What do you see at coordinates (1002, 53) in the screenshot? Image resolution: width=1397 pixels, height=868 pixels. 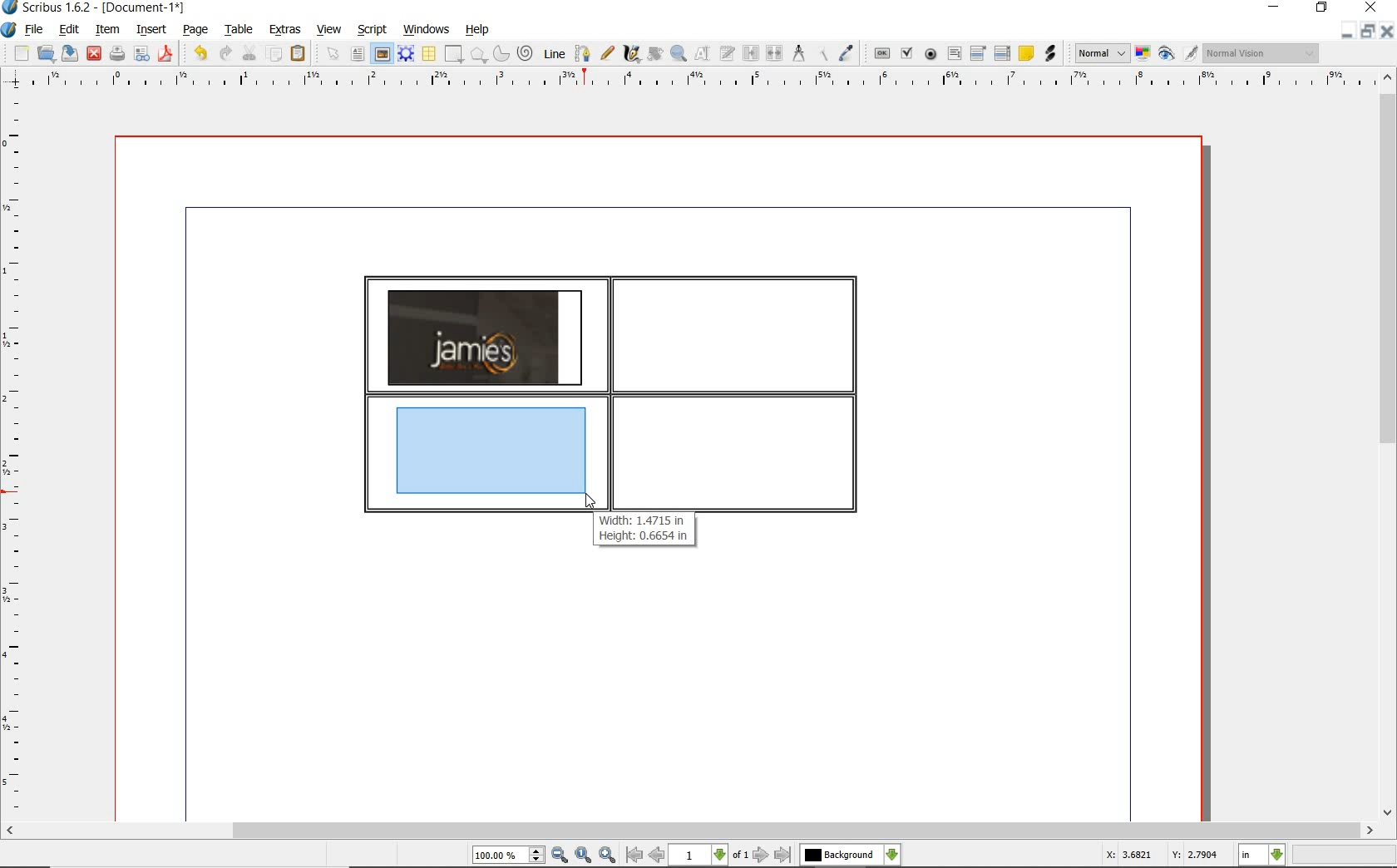 I see `PDF List Box` at bounding box center [1002, 53].